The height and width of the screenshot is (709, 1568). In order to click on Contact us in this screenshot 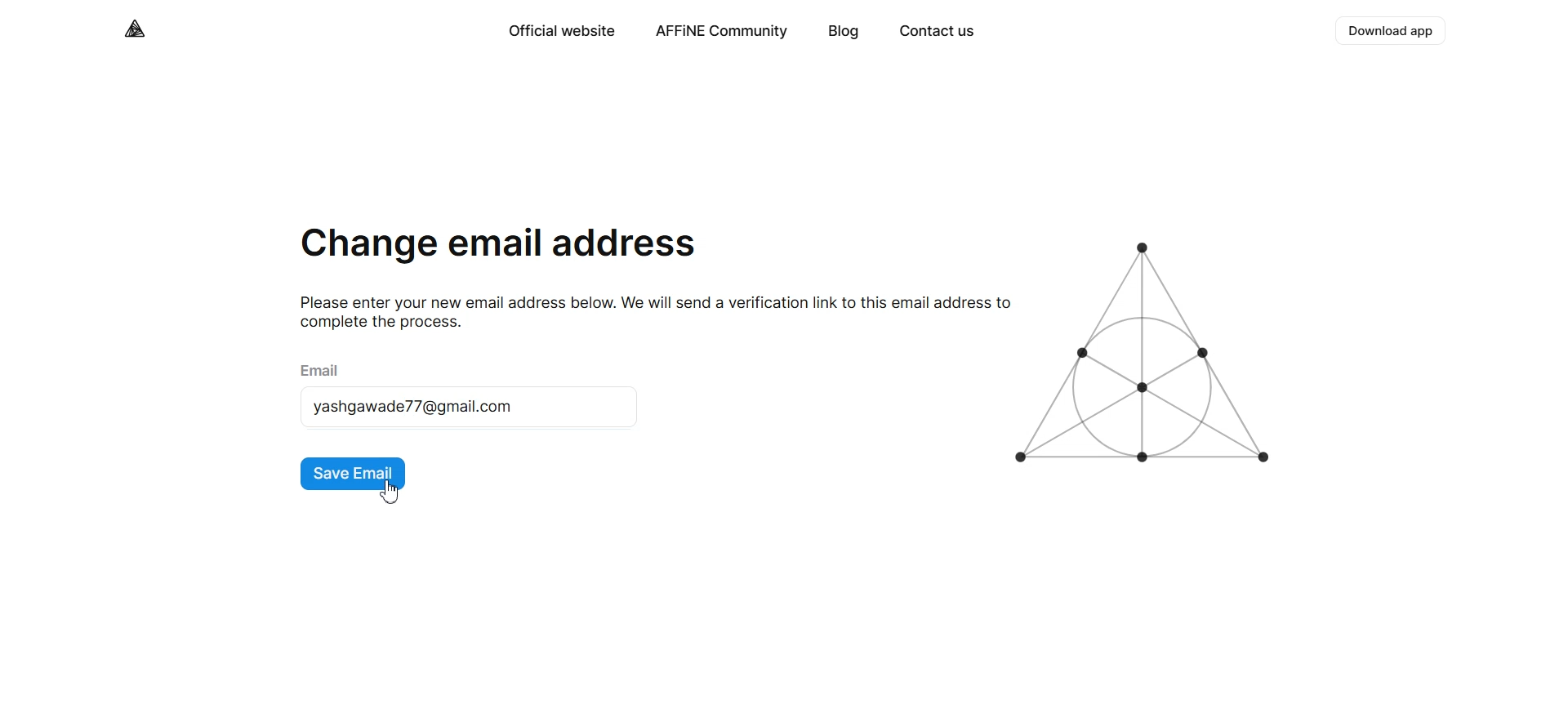, I will do `click(936, 33)`.